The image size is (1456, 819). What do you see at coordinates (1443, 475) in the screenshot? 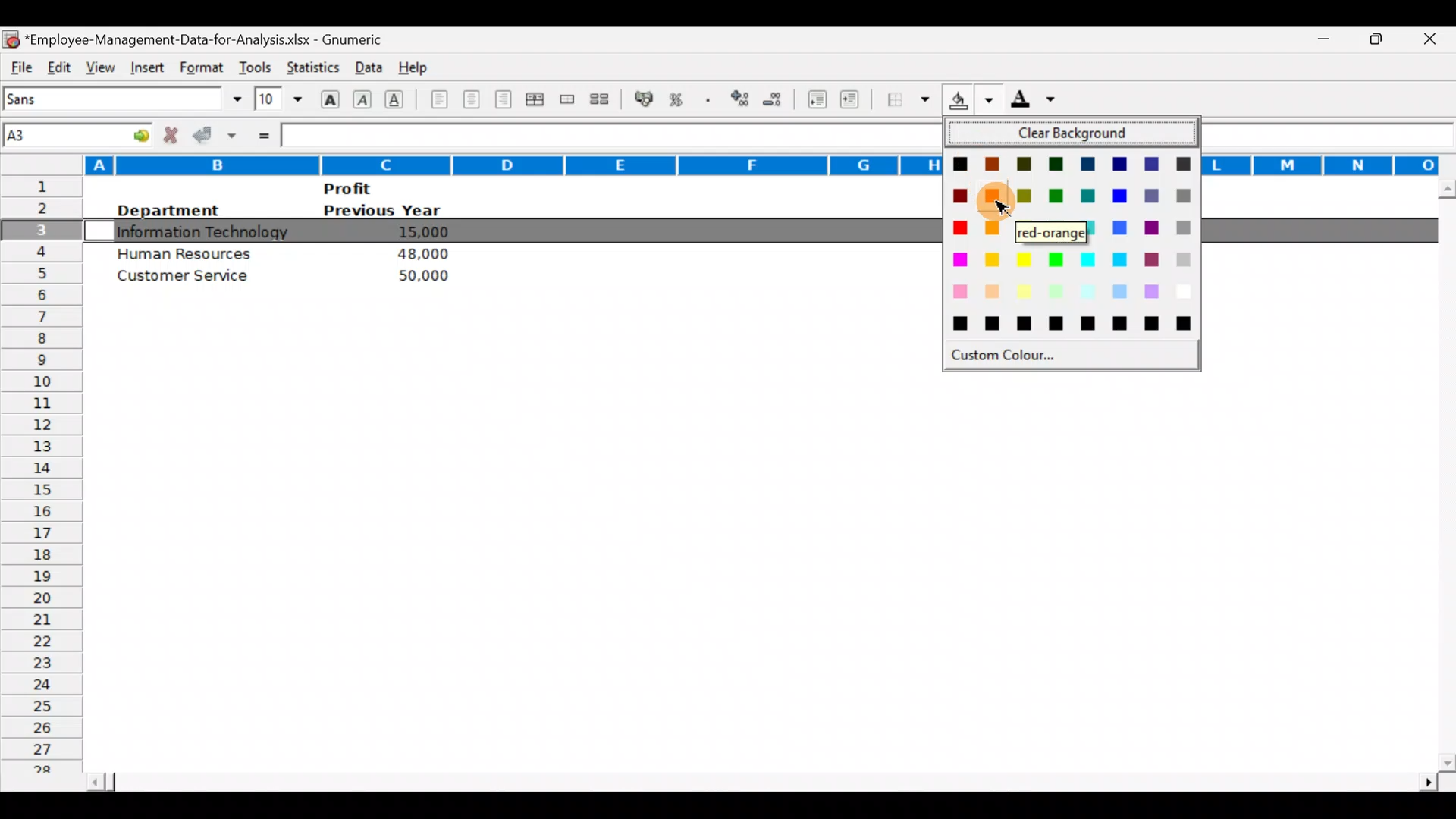
I see `Scroll bar` at bounding box center [1443, 475].